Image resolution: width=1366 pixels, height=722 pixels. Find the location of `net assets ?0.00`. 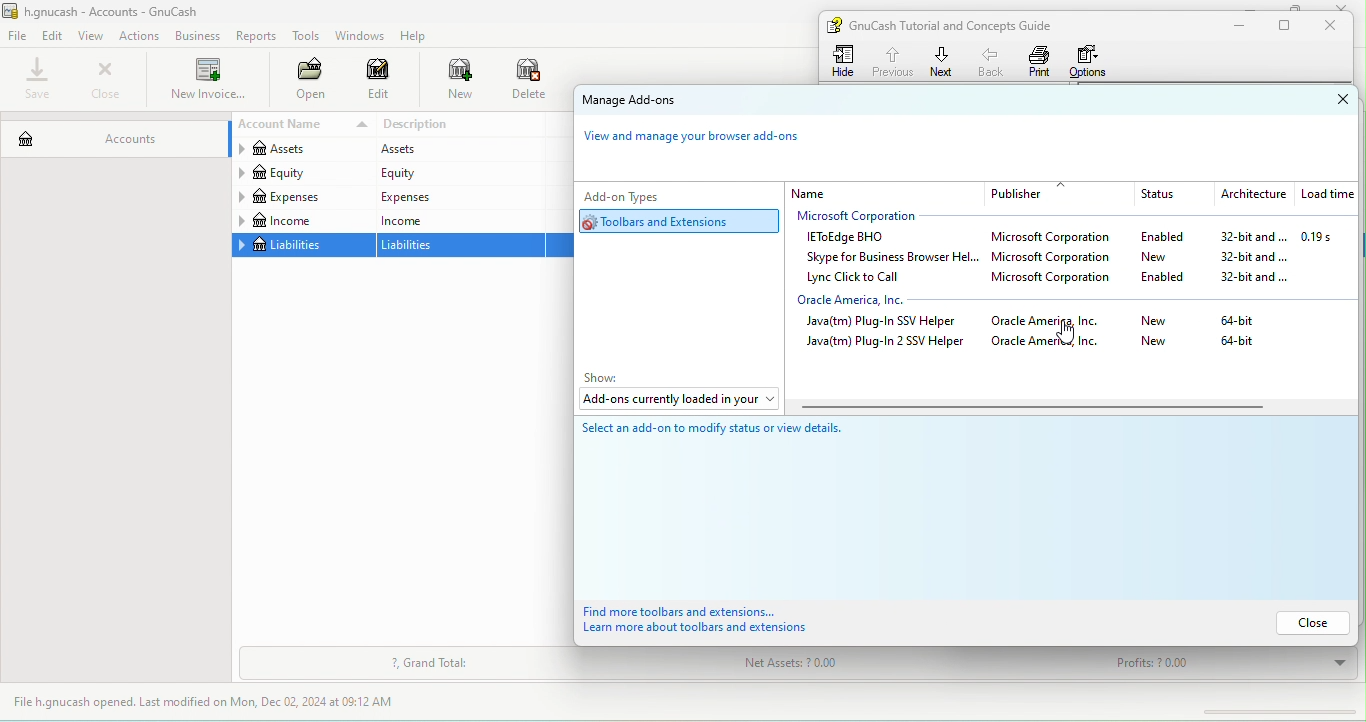

net assets ?0.00 is located at coordinates (853, 666).